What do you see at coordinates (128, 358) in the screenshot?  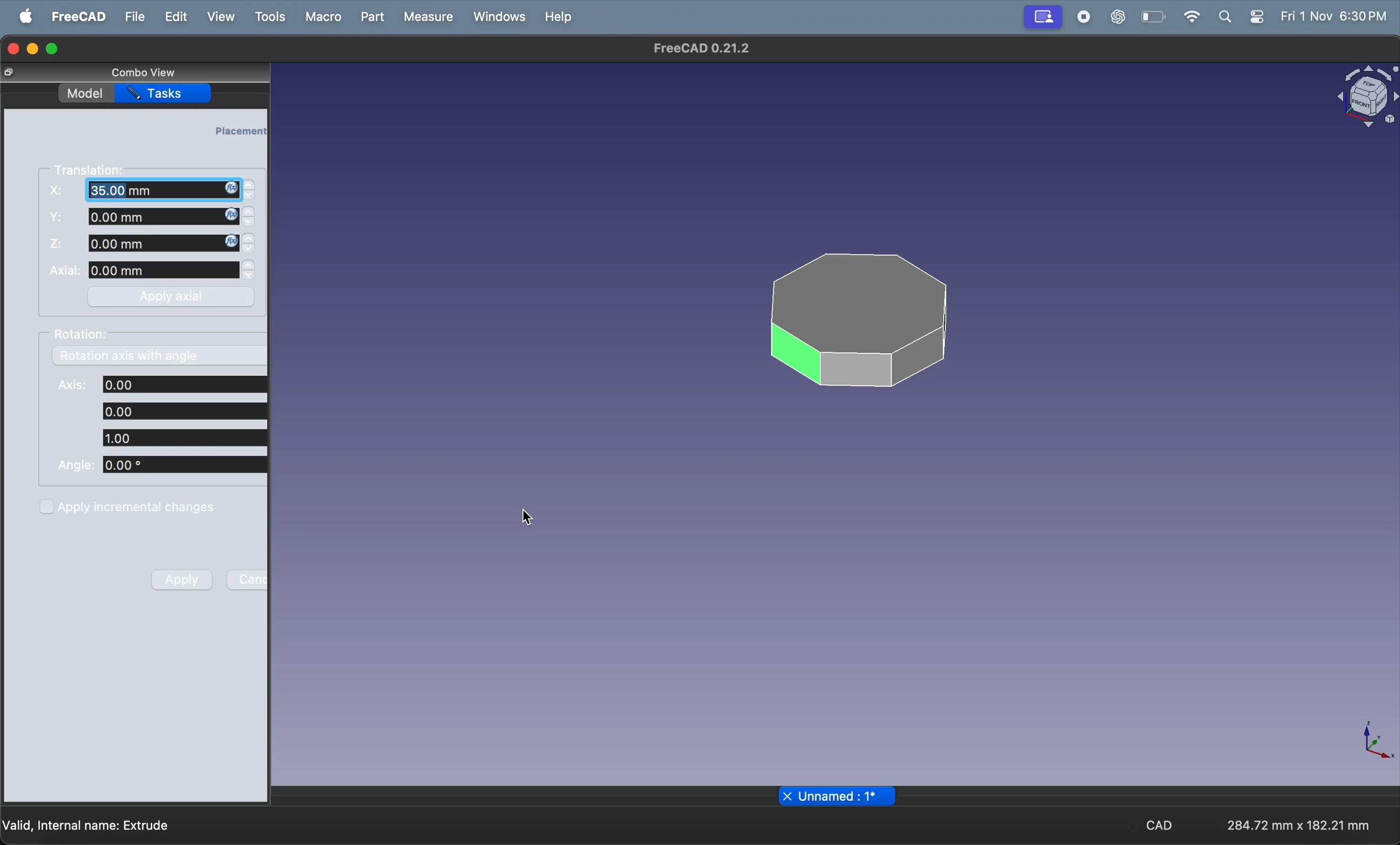 I see `Rotation axis with angle` at bounding box center [128, 358].